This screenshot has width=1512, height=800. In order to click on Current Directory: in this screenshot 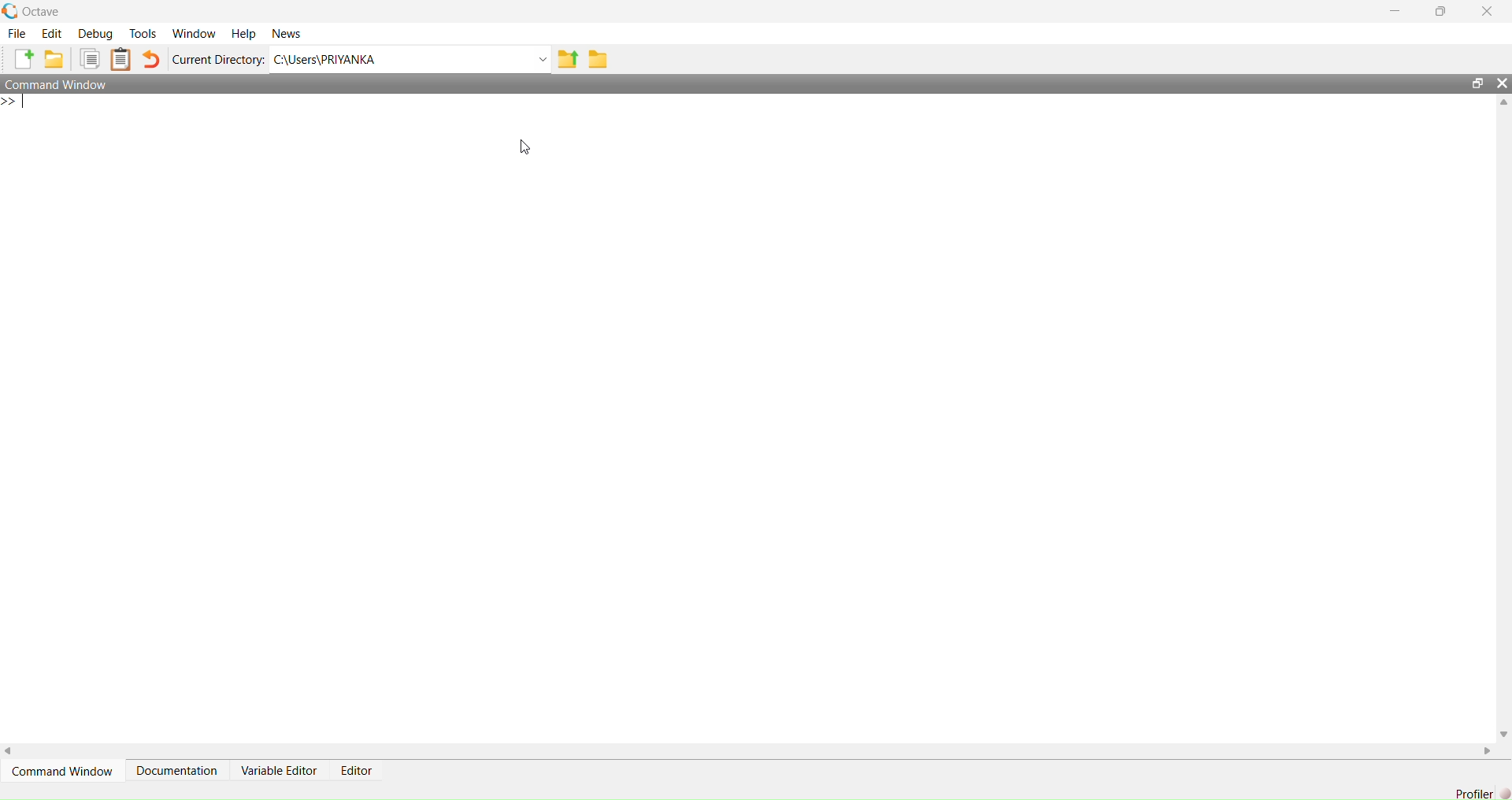, I will do `click(220, 59)`.